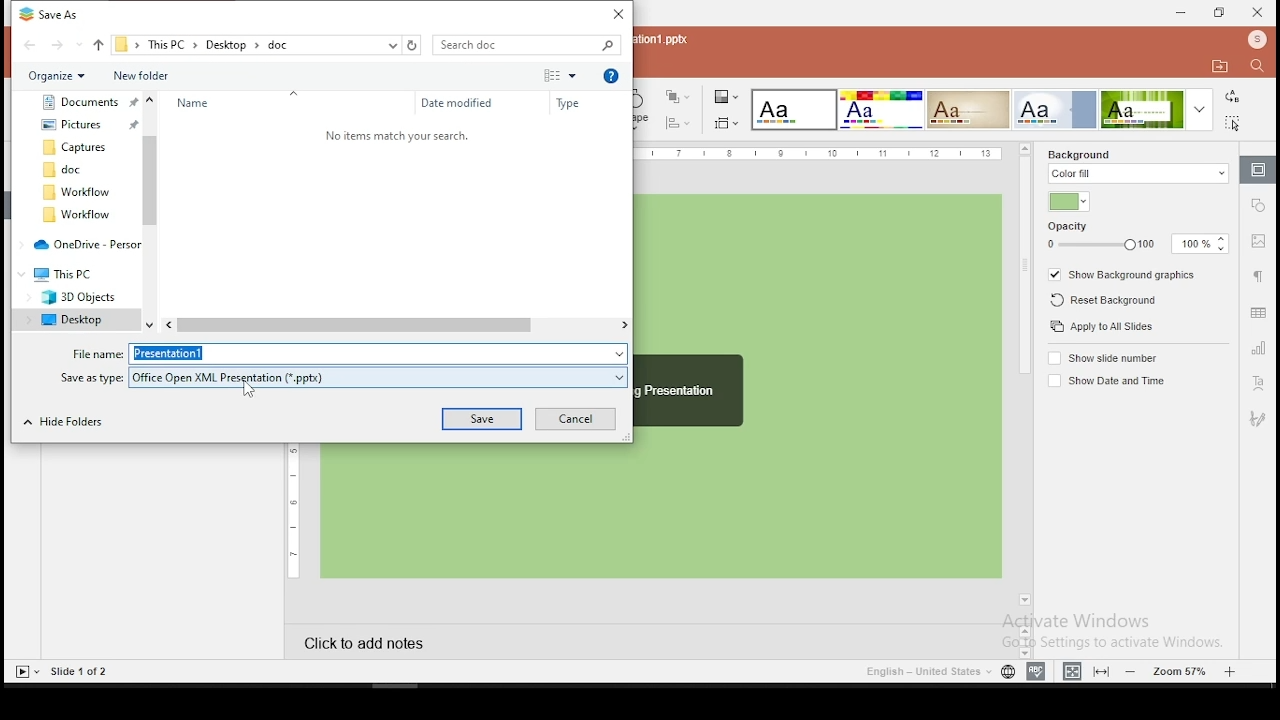 The width and height of the screenshot is (1280, 720). What do you see at coordinates (1257, 66) in the screenshot?
I see `find` at bounding box center [1257, 66].